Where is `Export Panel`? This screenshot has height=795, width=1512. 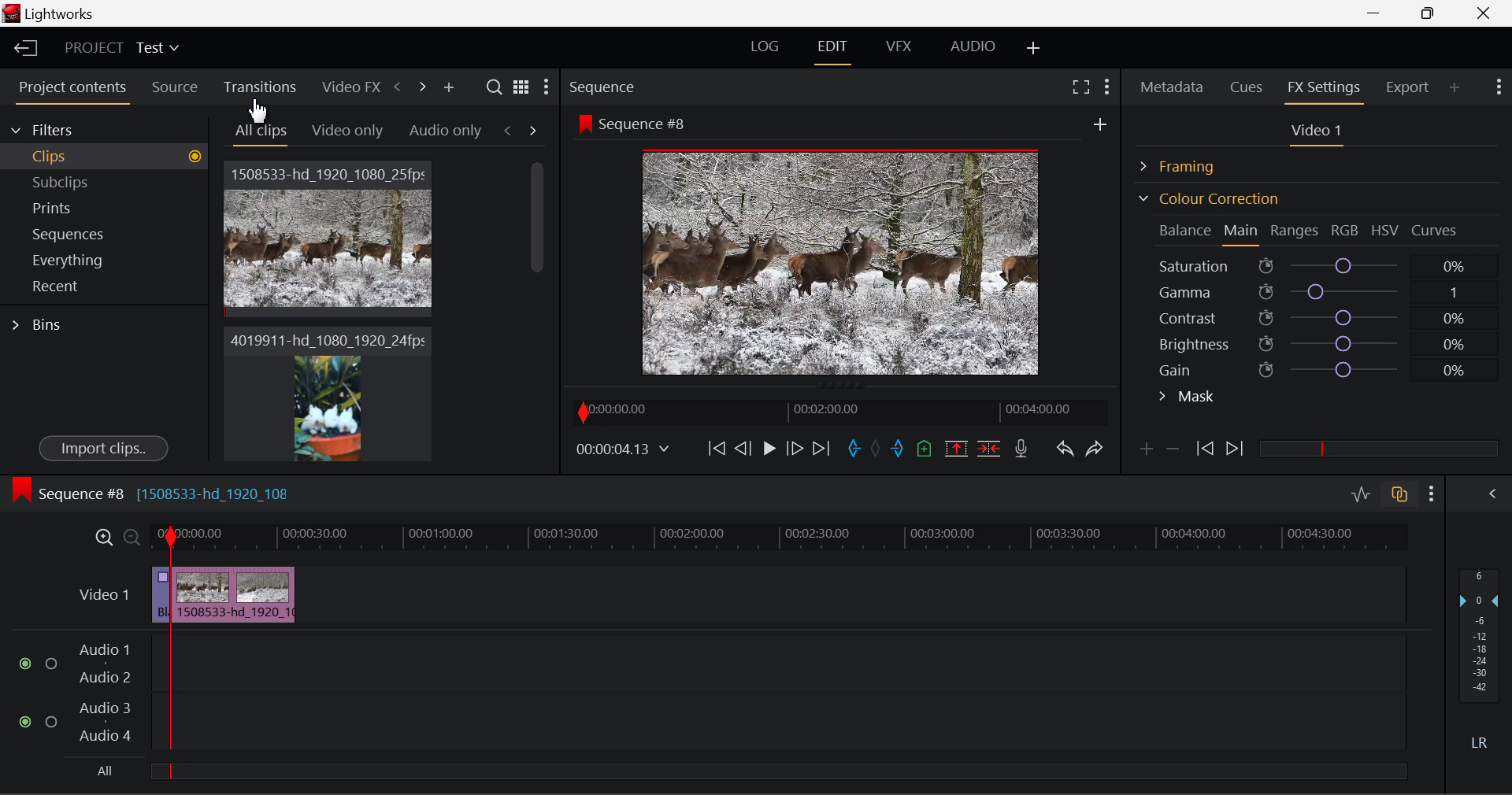 Export Panel is located at coordinates (1410, 87).